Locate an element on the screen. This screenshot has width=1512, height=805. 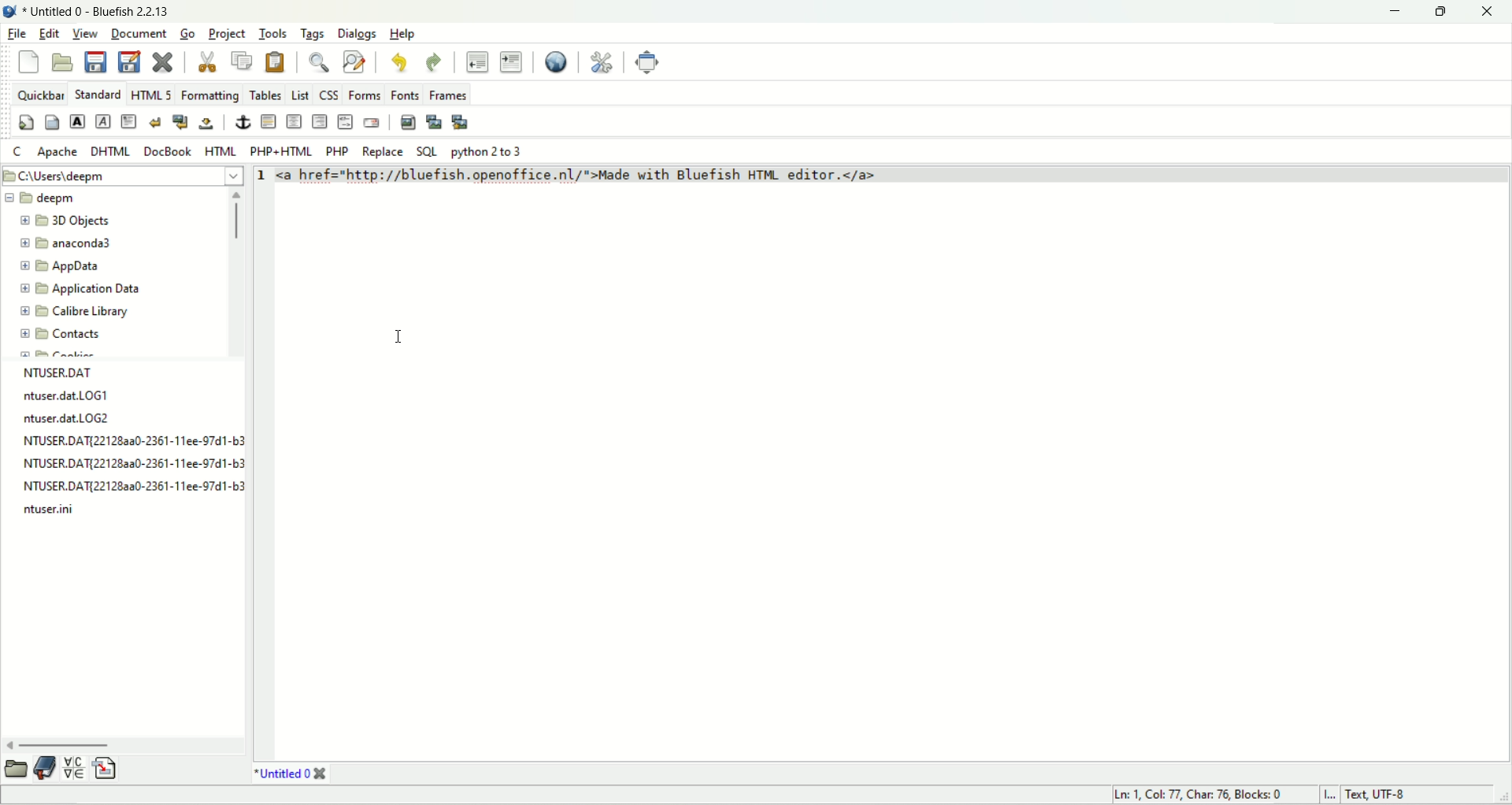
open is located at coordinates (17, 767).